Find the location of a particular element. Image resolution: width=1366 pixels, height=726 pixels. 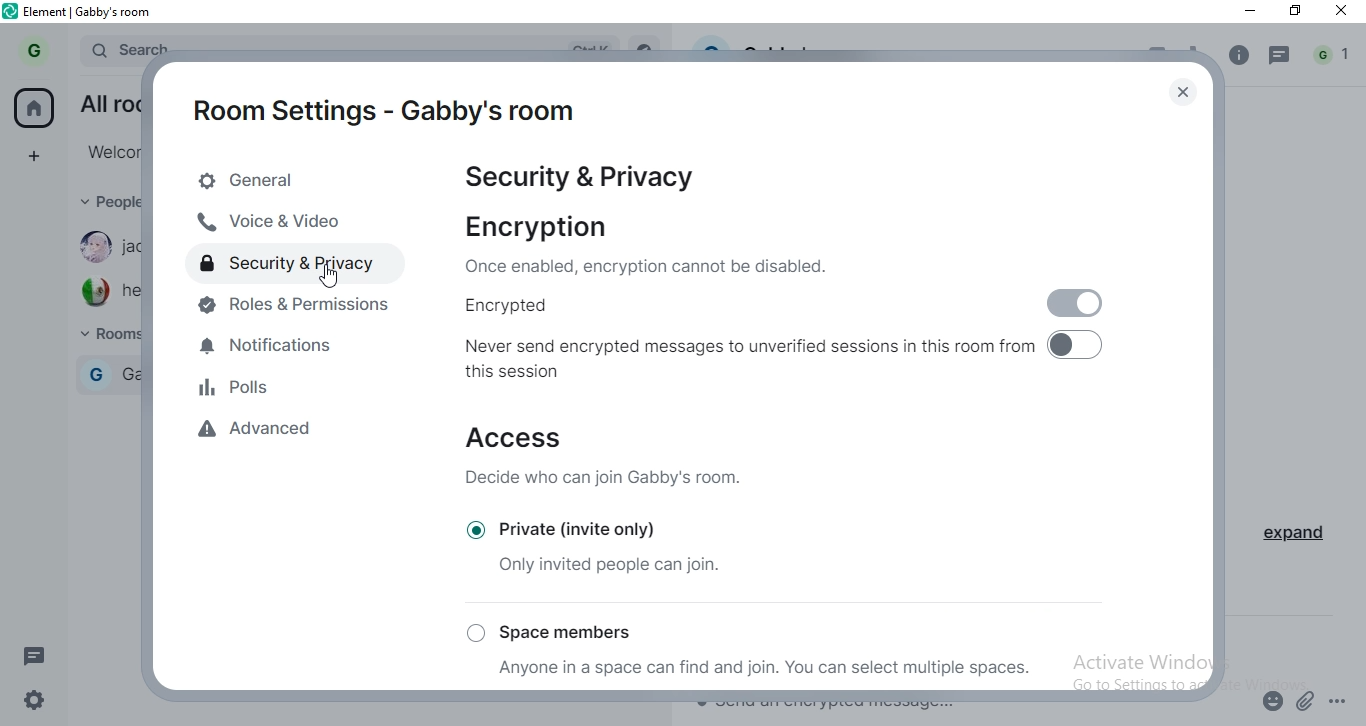

attachment is located at coordinates (1307, 700).